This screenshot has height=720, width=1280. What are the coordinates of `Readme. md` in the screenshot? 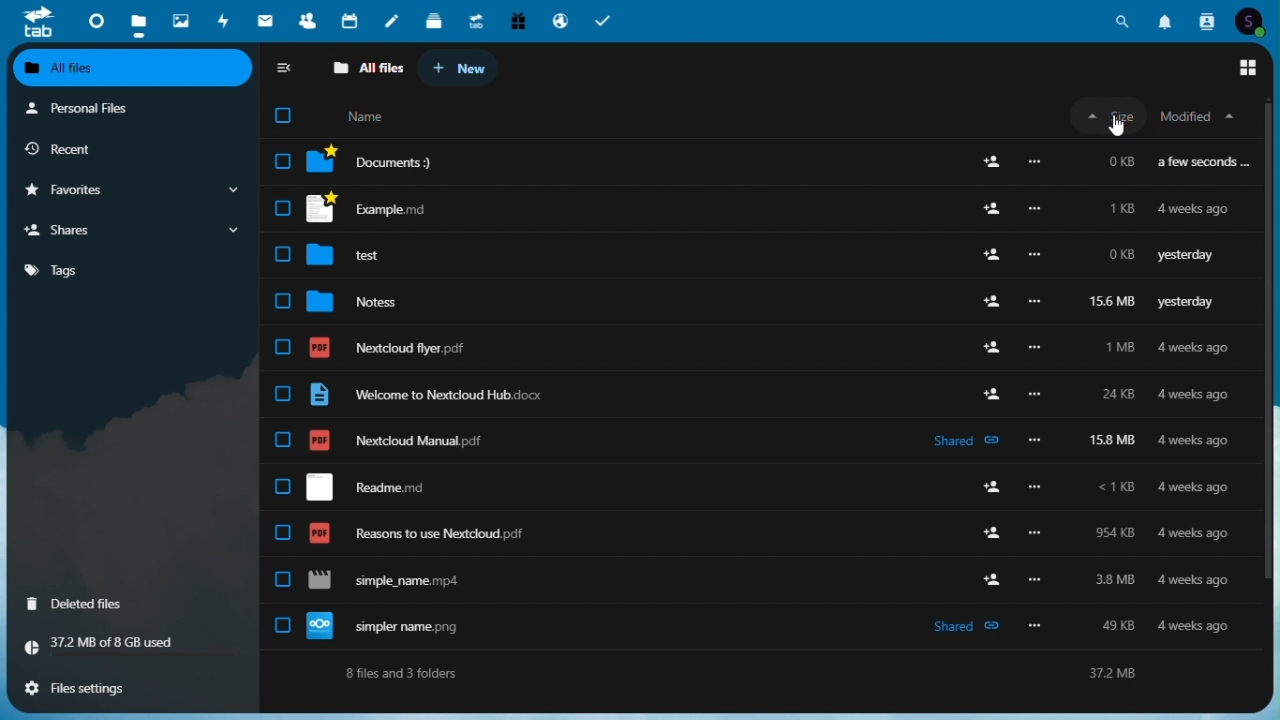 It's located at (747, 487).